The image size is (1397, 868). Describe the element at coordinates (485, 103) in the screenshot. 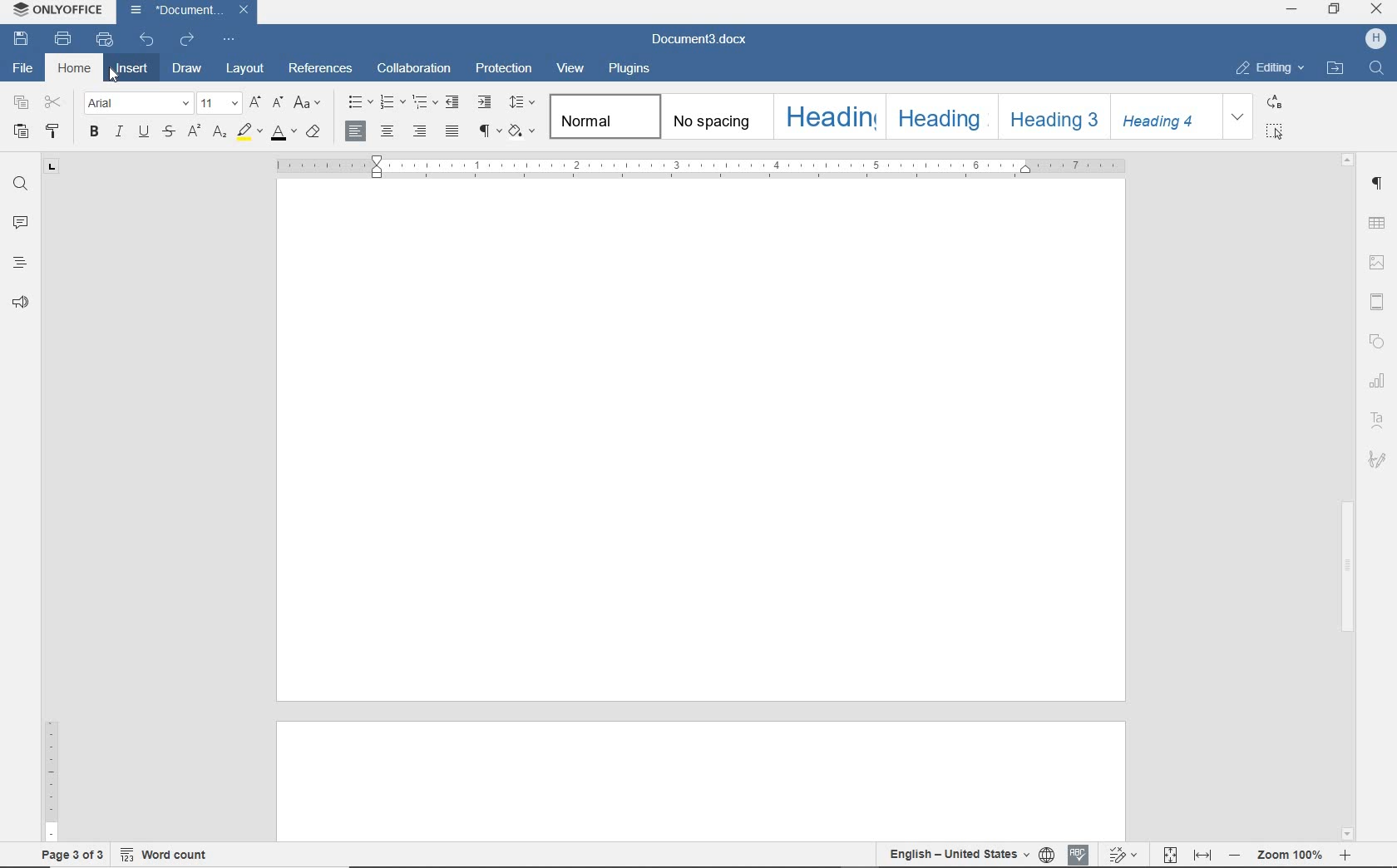

I see `INCREASE INDENT` at that location.